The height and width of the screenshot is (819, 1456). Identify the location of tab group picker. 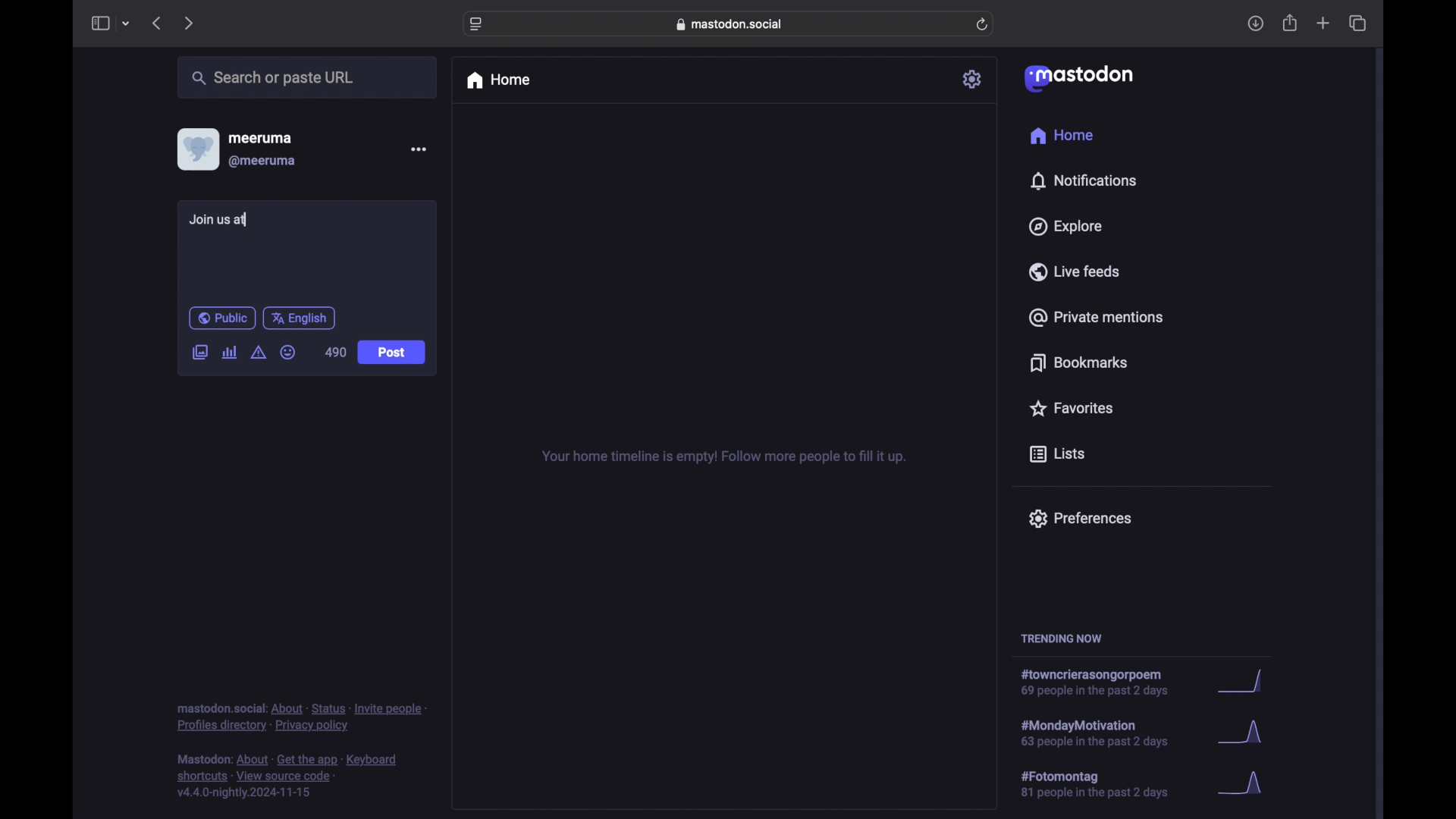
(126, 24).